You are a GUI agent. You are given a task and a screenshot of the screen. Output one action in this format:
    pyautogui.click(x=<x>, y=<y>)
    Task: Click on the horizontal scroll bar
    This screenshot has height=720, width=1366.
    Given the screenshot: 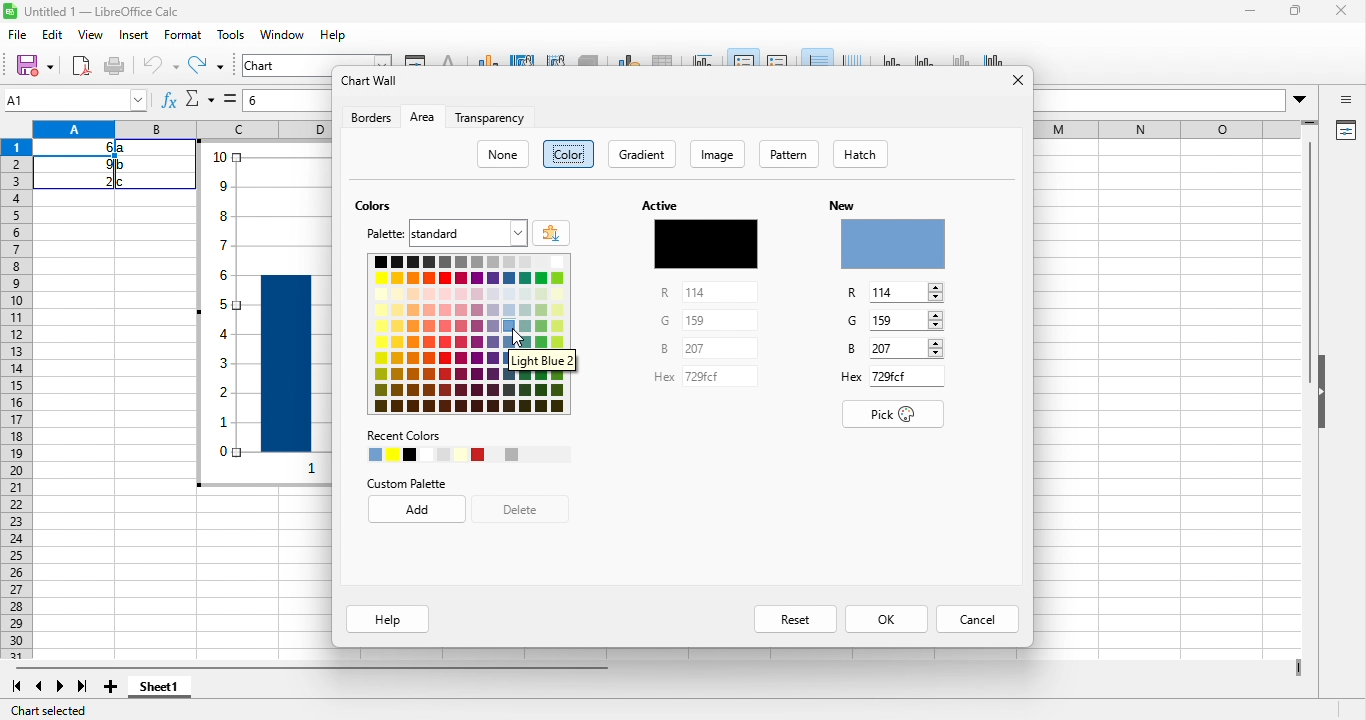 What is the action you would take?
    pyautogui.click(x=351, y=670)
    